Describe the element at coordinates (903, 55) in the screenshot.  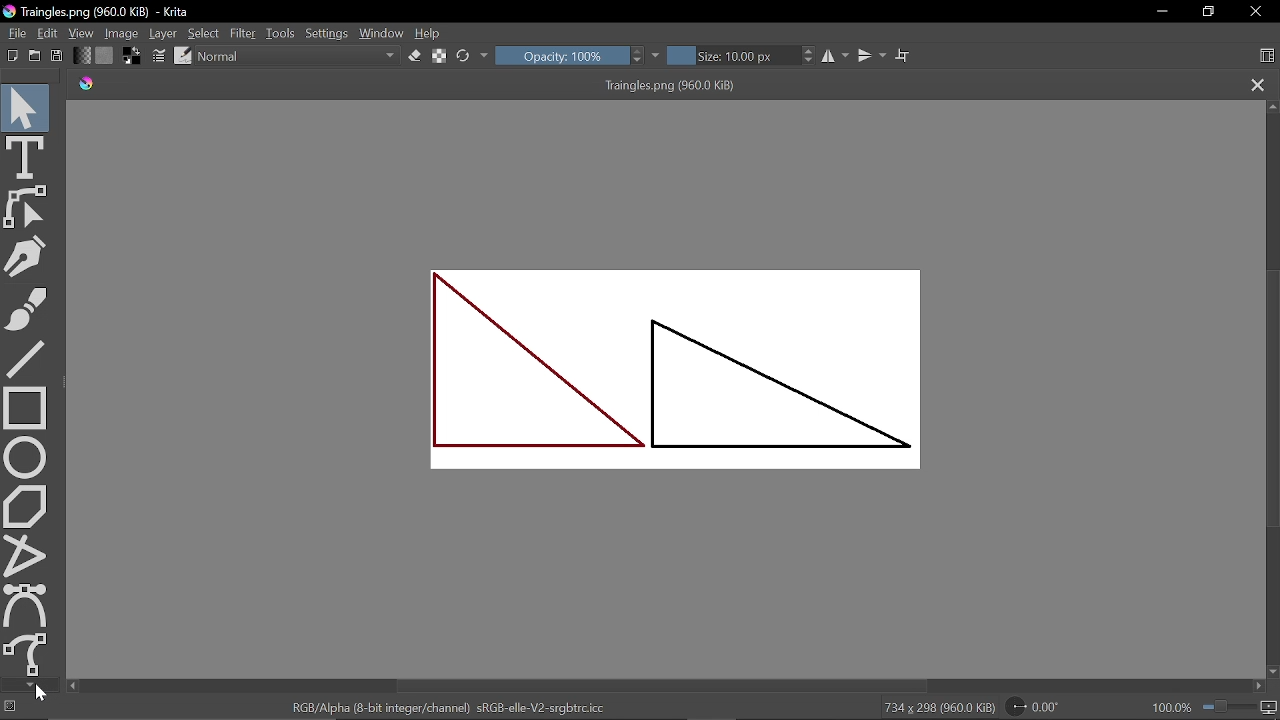
I see `Wrap text tool` at that location.